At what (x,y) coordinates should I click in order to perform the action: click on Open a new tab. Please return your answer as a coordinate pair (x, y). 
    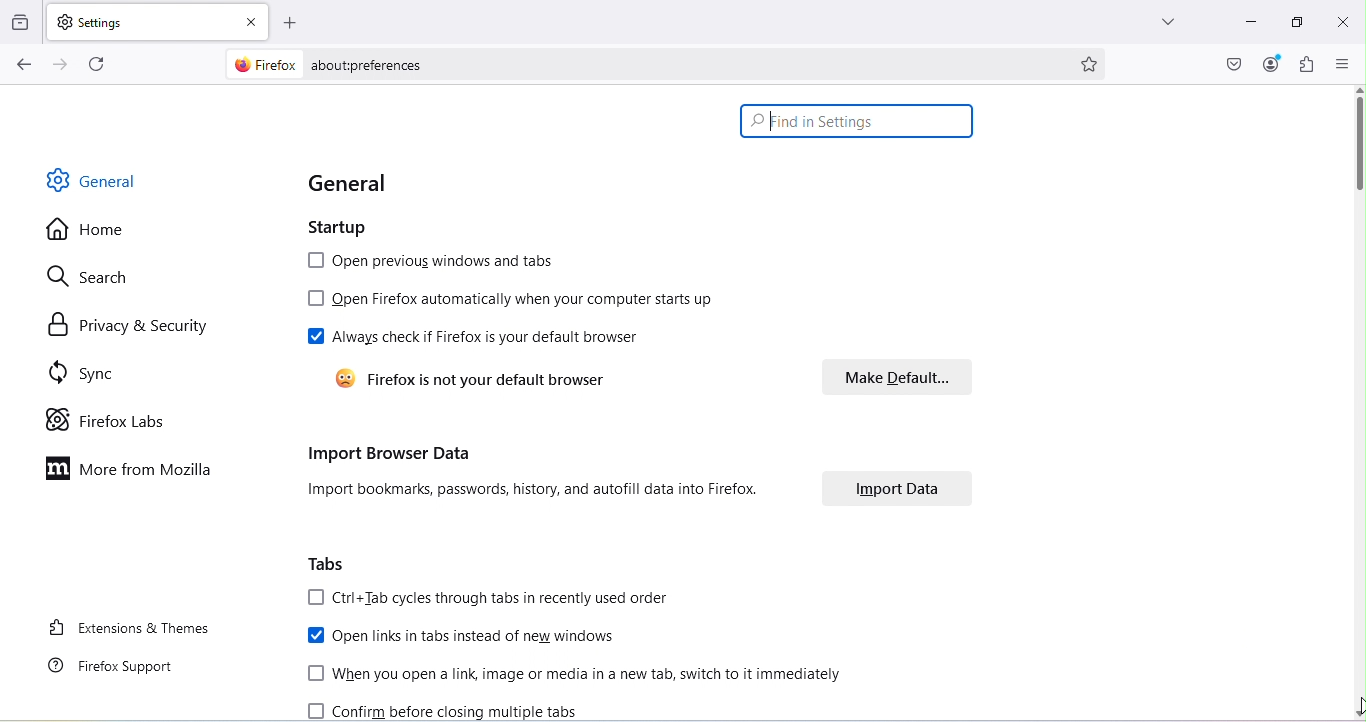
    Looking at the image, I should click on (299, 25).